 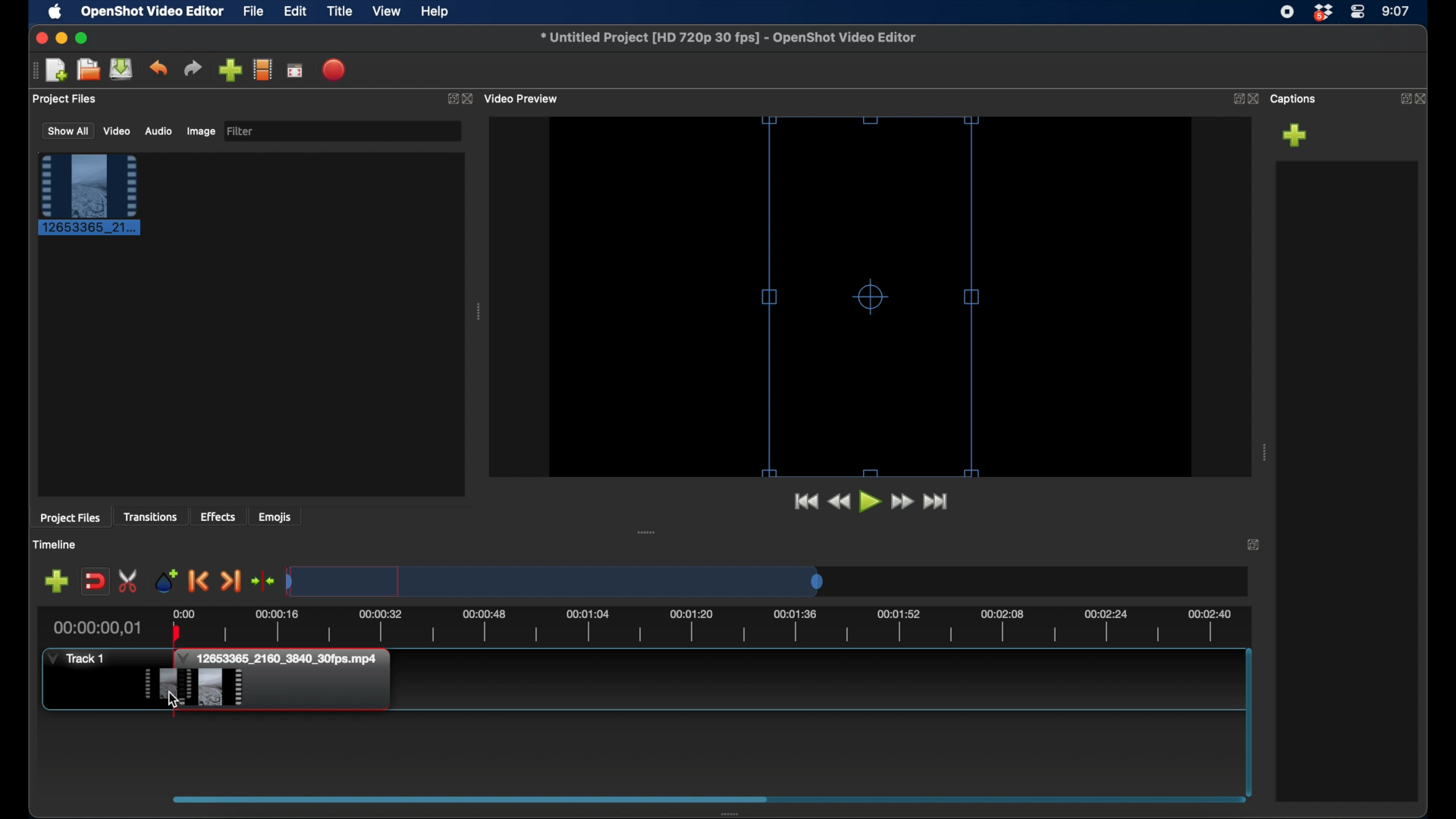 I want to click on enable razor, so click(x=129, y=580).